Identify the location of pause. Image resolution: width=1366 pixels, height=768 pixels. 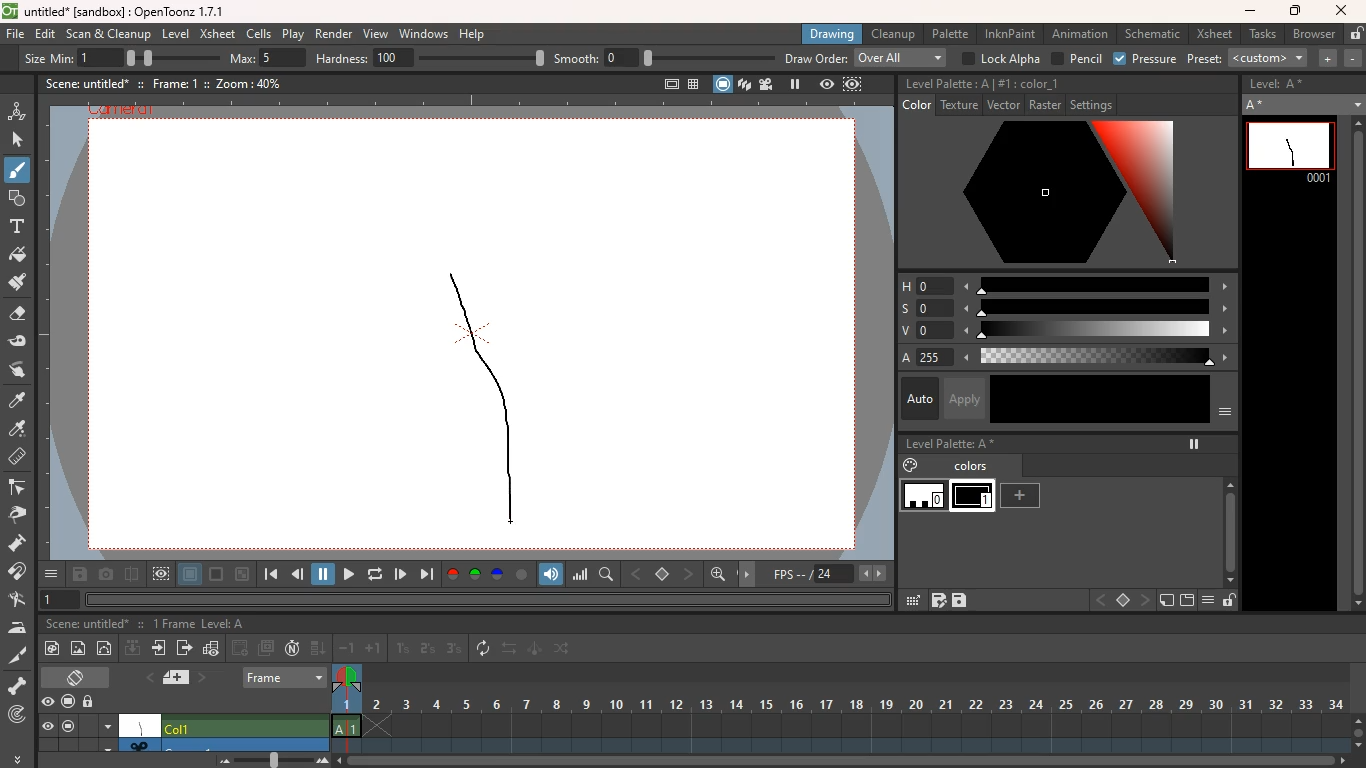
(1192, 444).